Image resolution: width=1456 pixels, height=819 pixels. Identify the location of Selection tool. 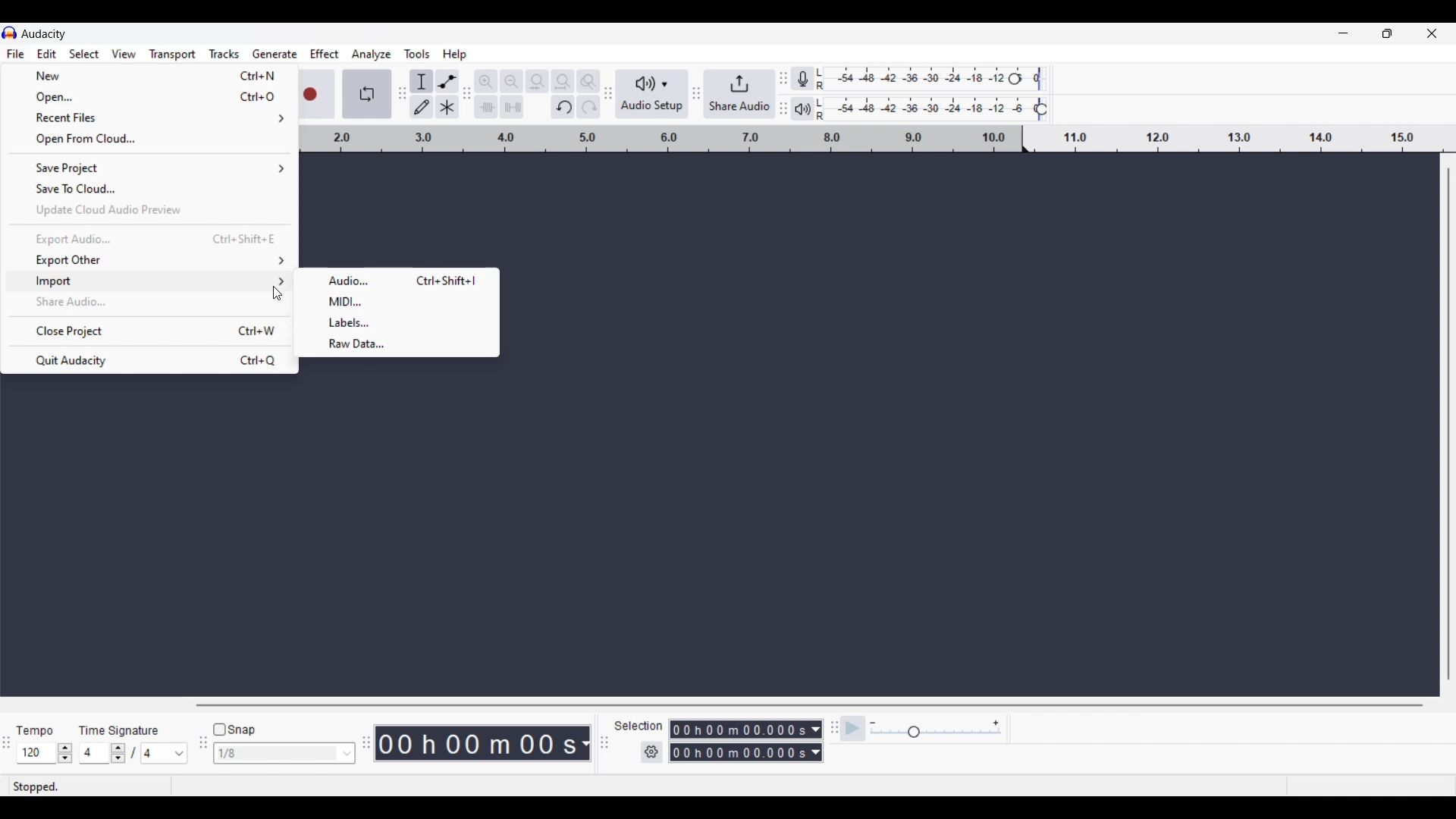
(422, 81).